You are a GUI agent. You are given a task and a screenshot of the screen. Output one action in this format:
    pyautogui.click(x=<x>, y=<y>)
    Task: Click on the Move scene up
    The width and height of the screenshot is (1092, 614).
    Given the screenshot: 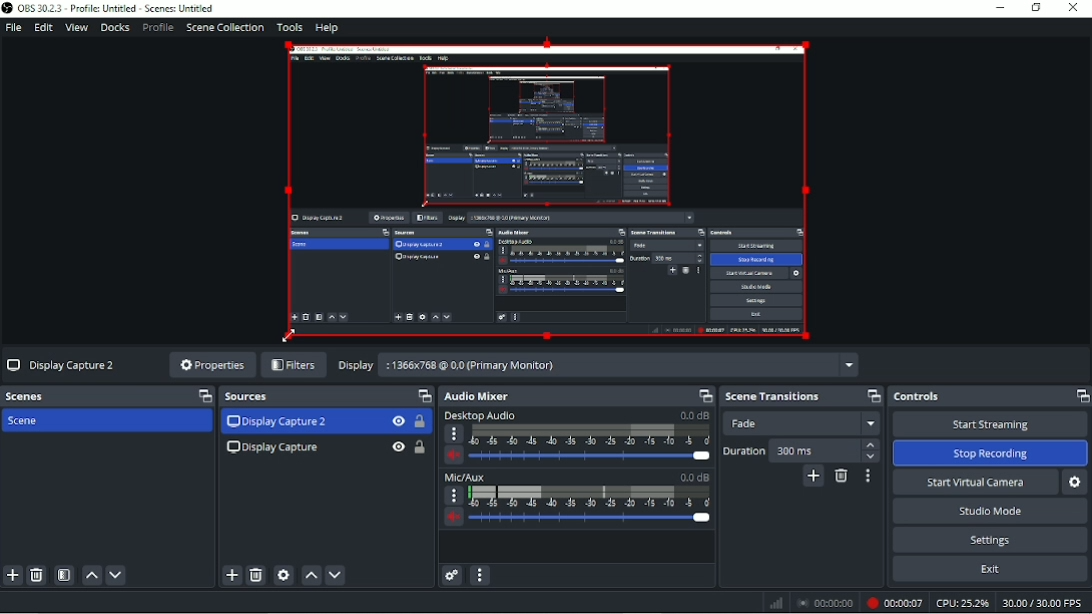 What is the action you would take?
    pyautogui.click(x=92, y=575)
    